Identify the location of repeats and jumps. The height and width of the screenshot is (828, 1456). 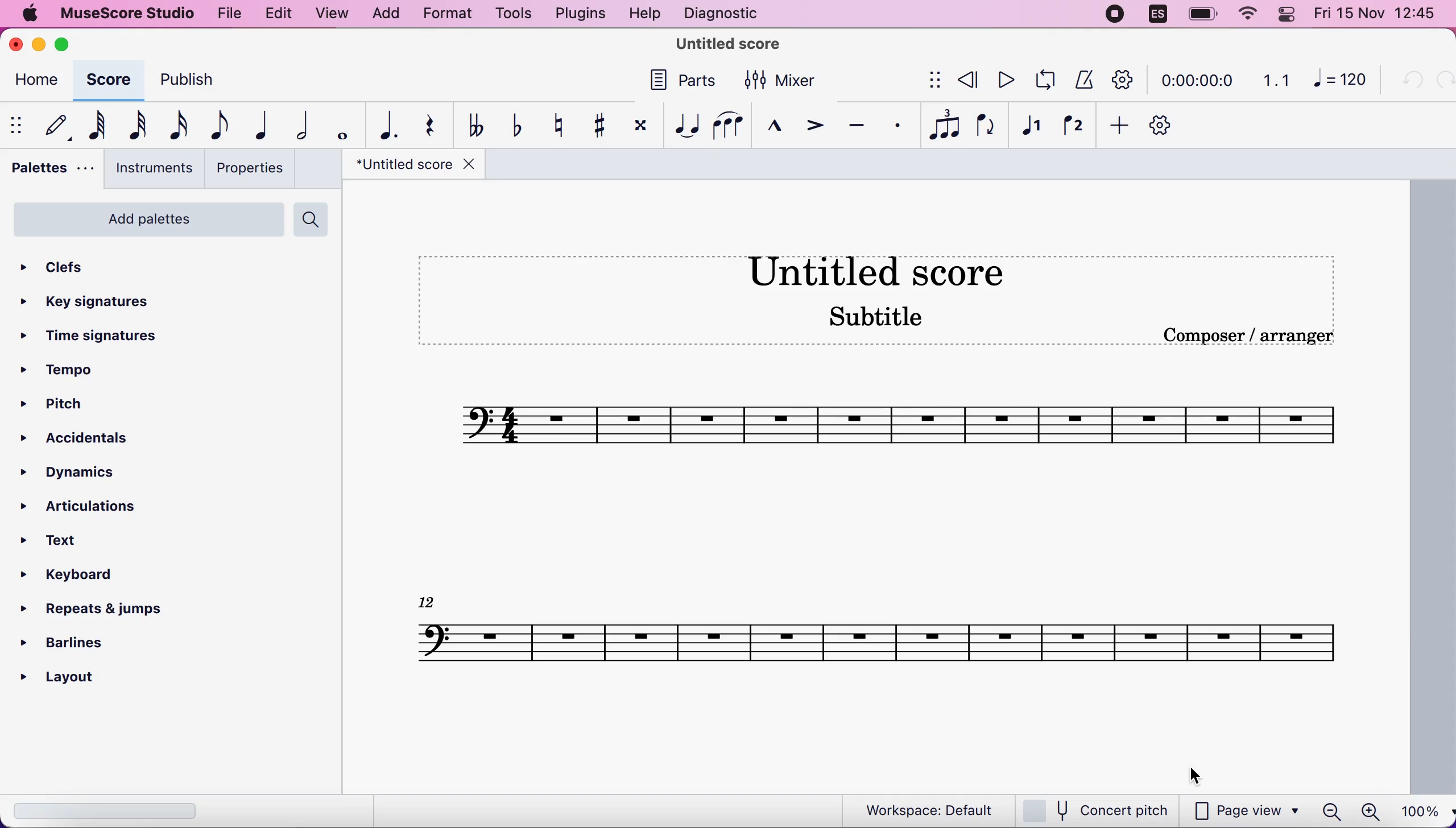
(85, 608).